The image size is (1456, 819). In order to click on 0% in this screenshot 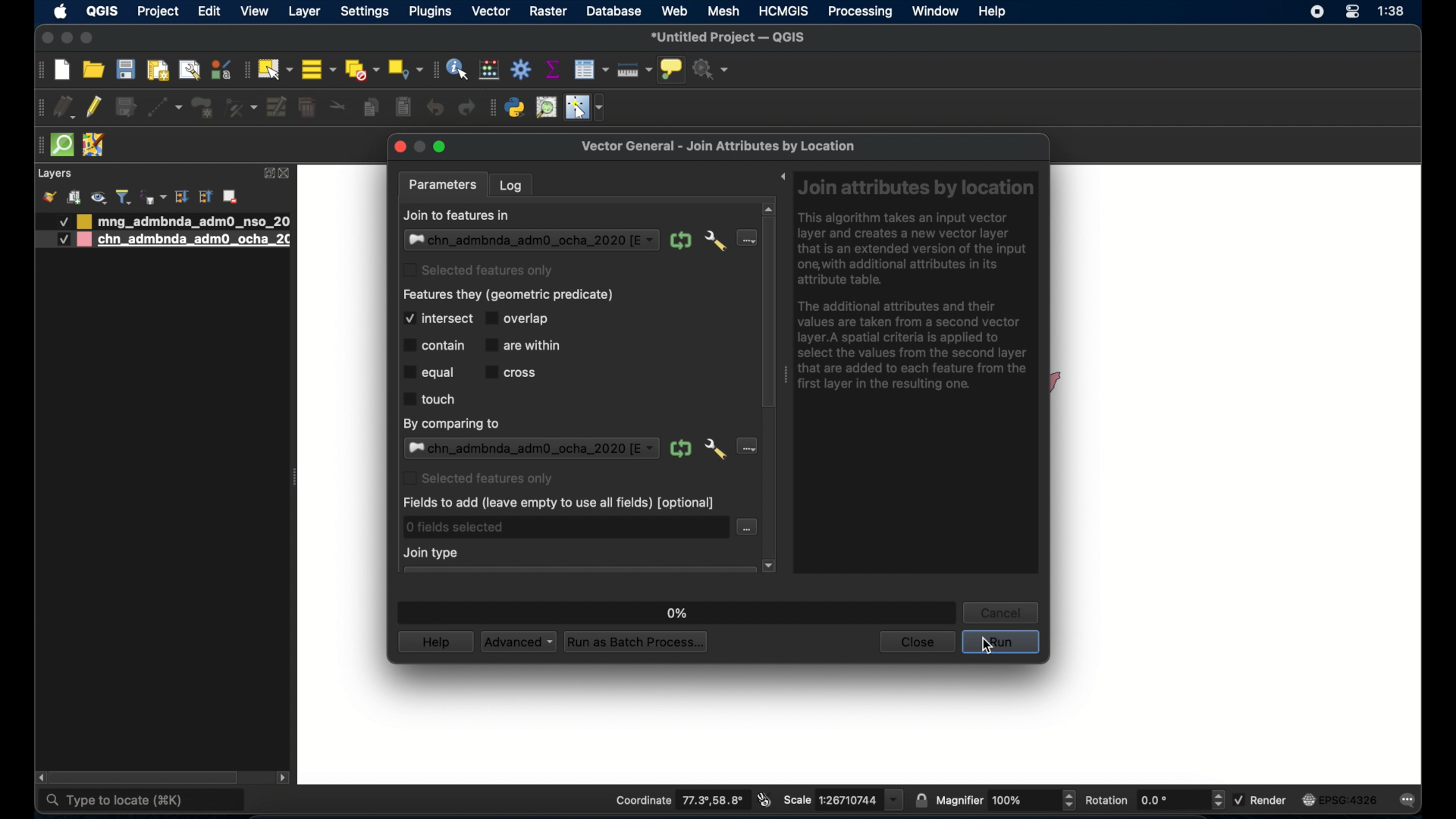, I will do `click(678, 613)`.